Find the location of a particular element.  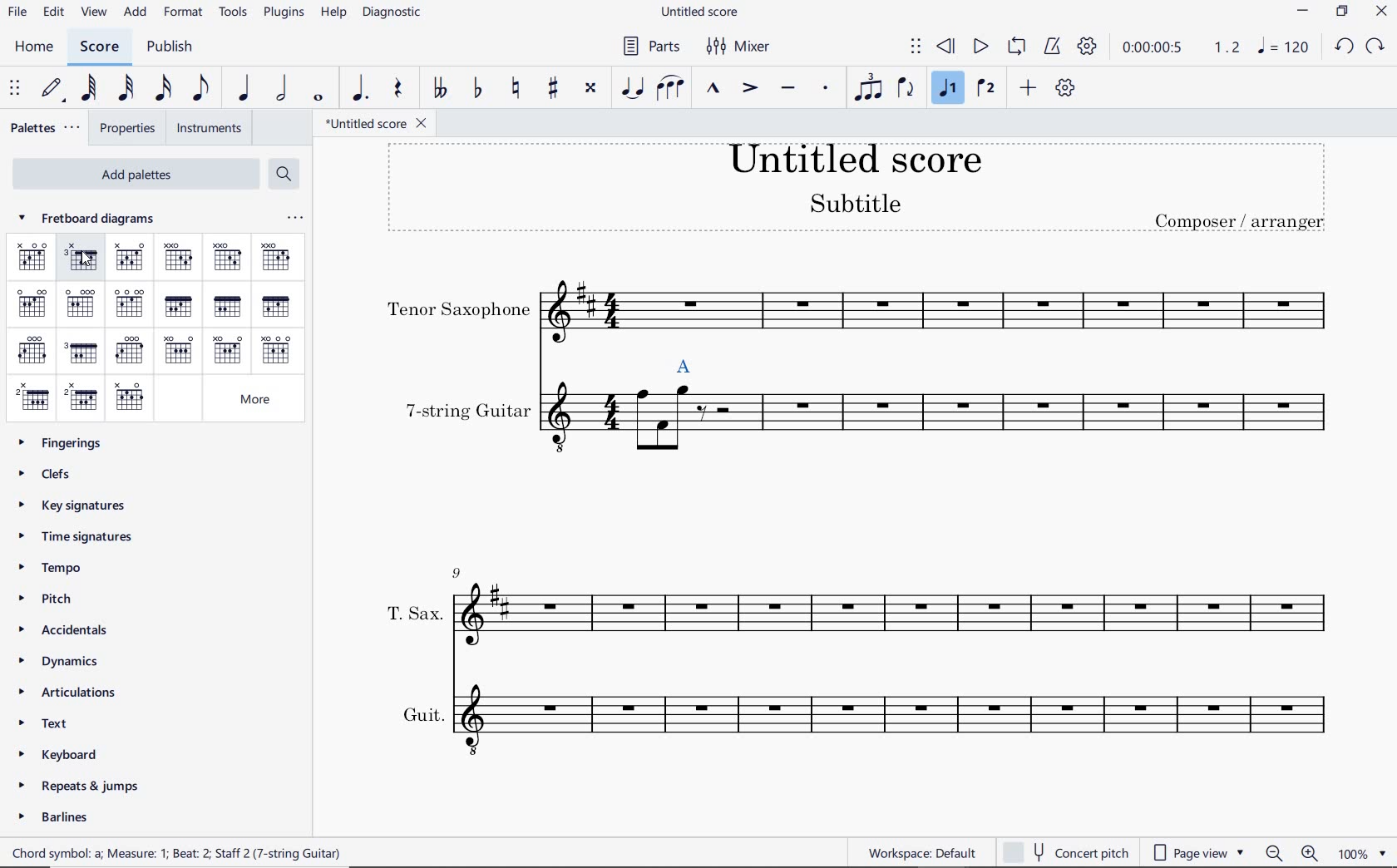

D is located at coordinates (178, 258).